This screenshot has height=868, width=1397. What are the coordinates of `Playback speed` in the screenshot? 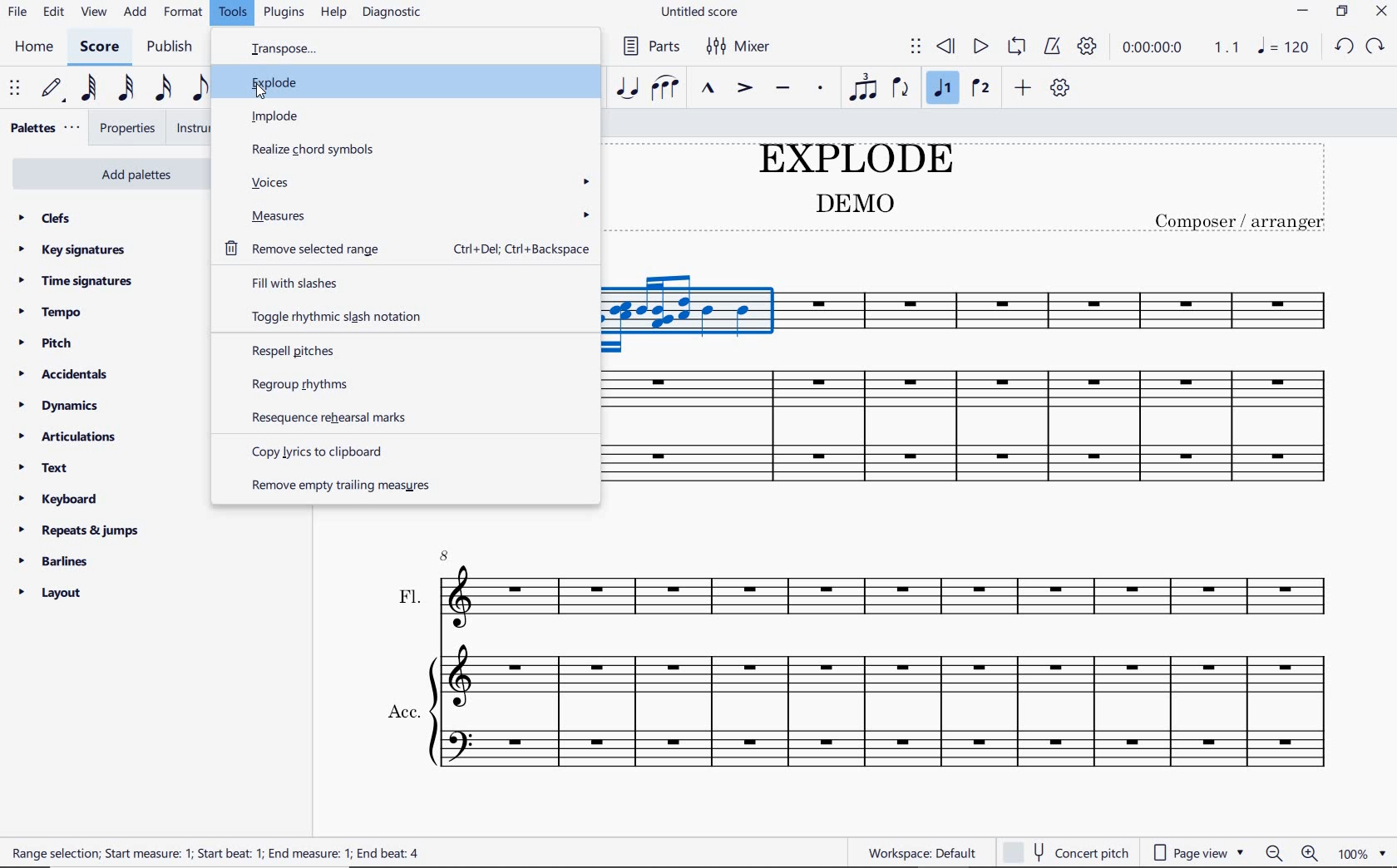 It's located at (1226, 48).